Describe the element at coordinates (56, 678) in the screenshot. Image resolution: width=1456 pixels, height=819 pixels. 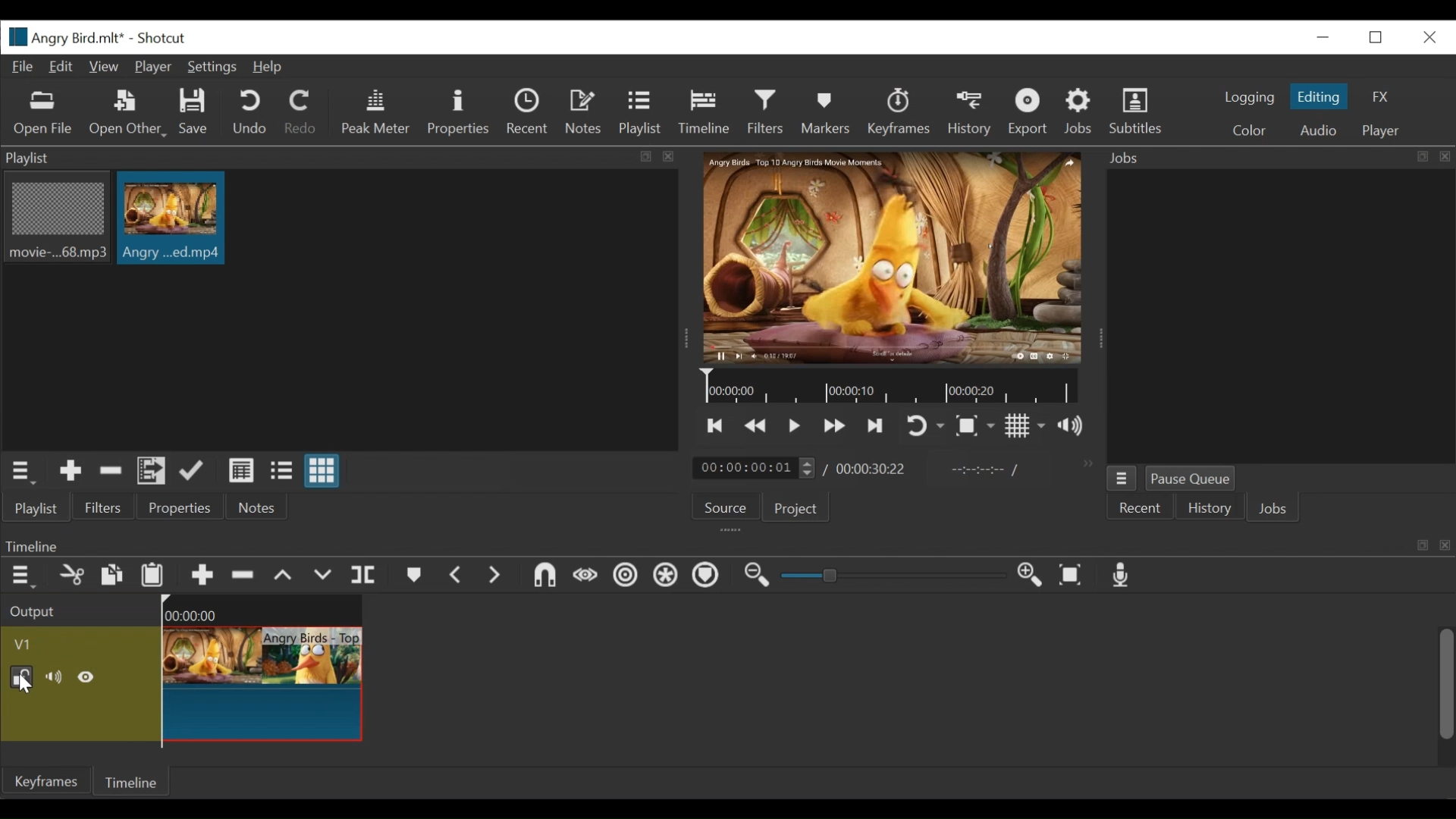
I see `mute` at that location.